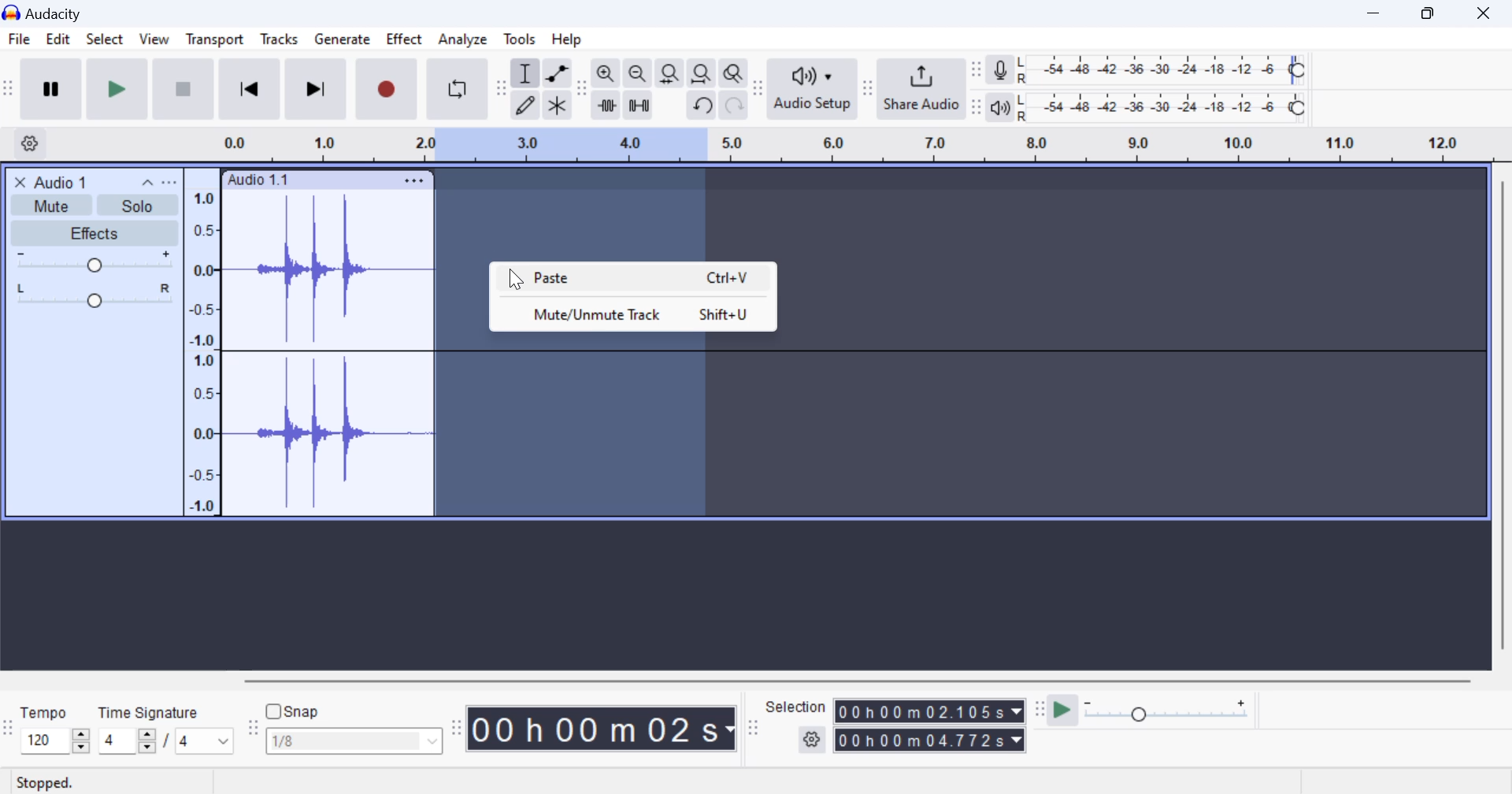  I want to click on Select, so click(104, 43).